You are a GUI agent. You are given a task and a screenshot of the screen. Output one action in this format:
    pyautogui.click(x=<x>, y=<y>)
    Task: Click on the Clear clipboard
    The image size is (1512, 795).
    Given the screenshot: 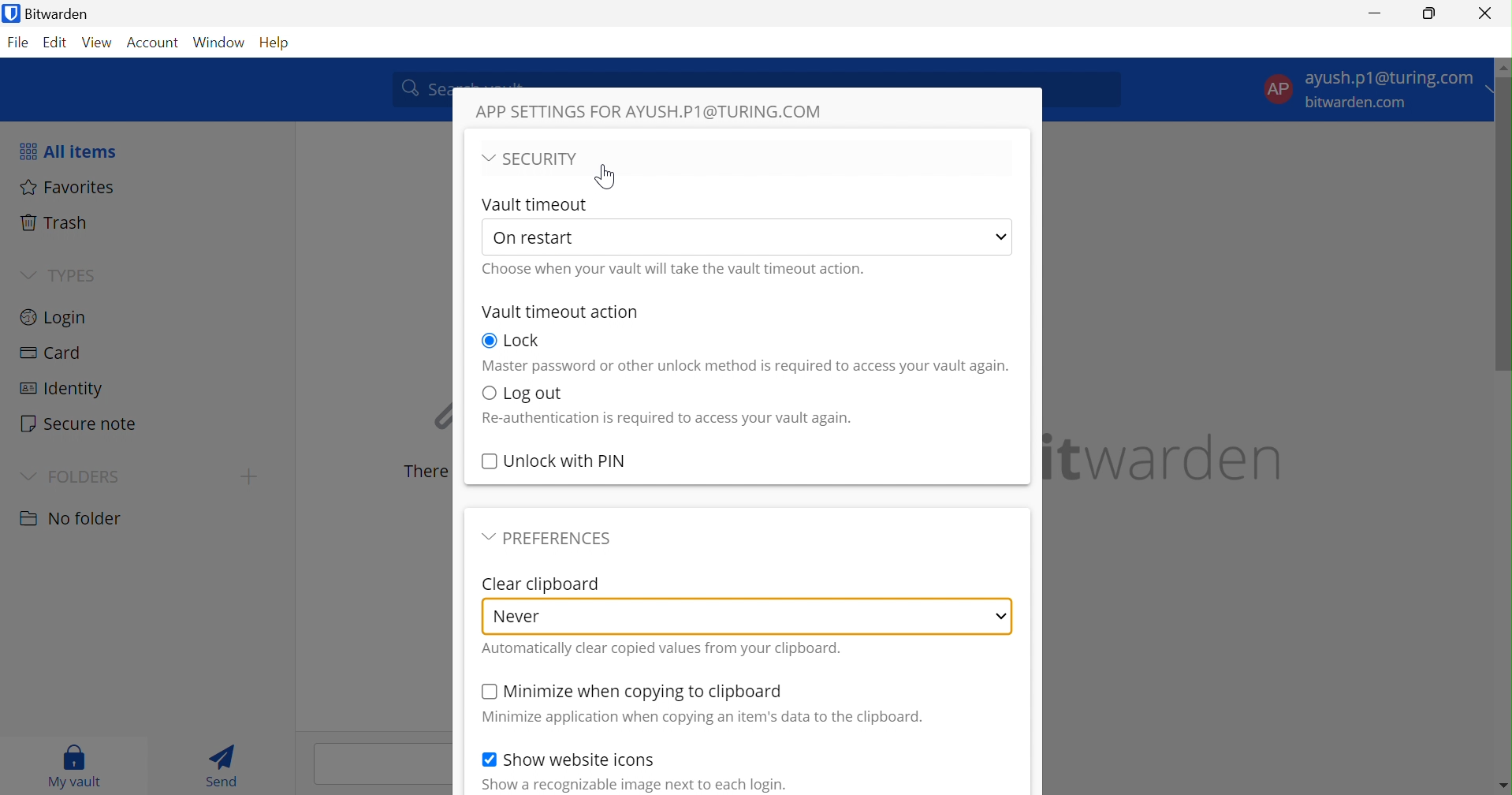 What is the action you would take?
    pyautogui.click(x=540, y=583)
    